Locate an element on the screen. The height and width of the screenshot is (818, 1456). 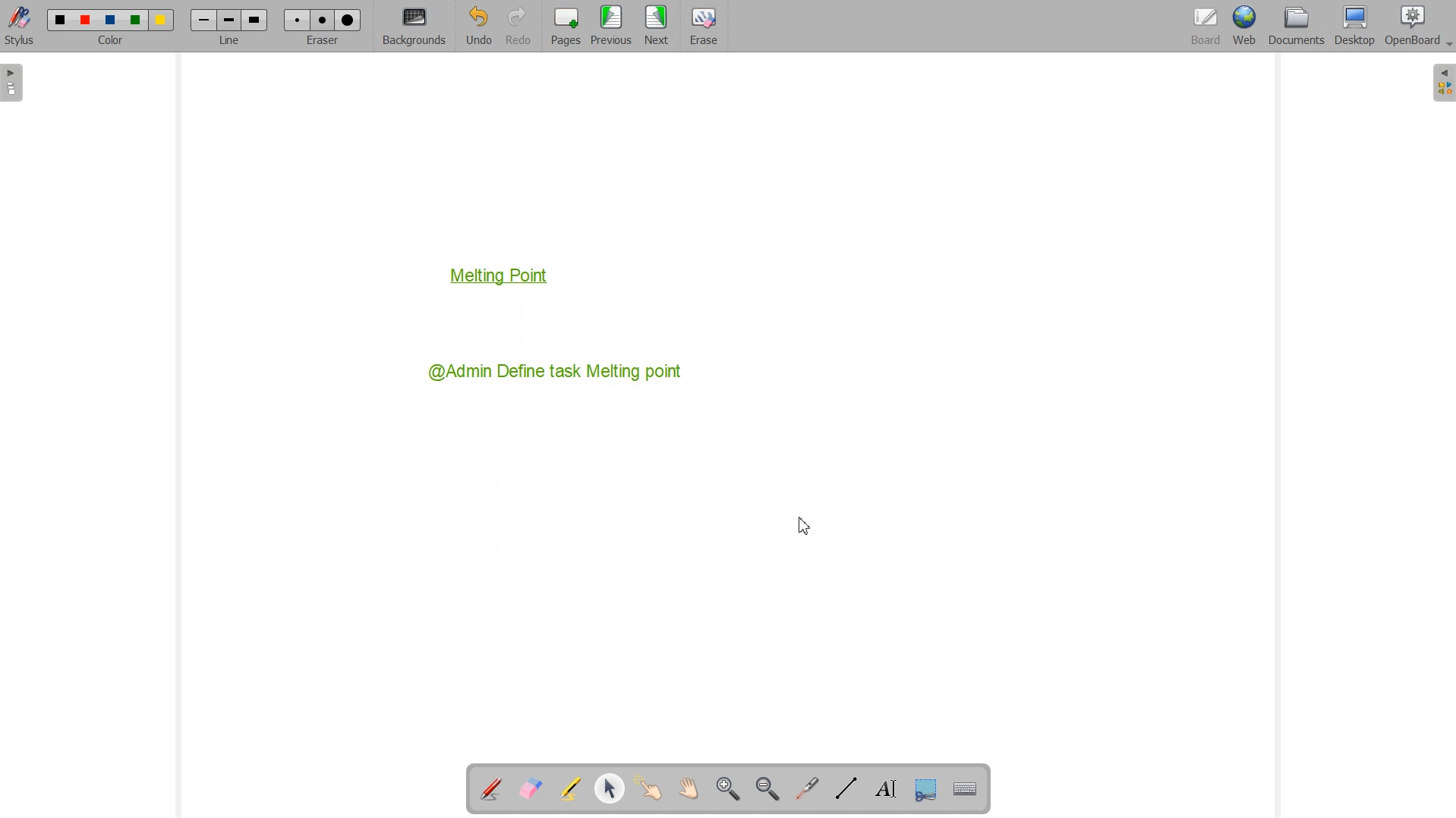
Write text is located at coordinates (882, 787).